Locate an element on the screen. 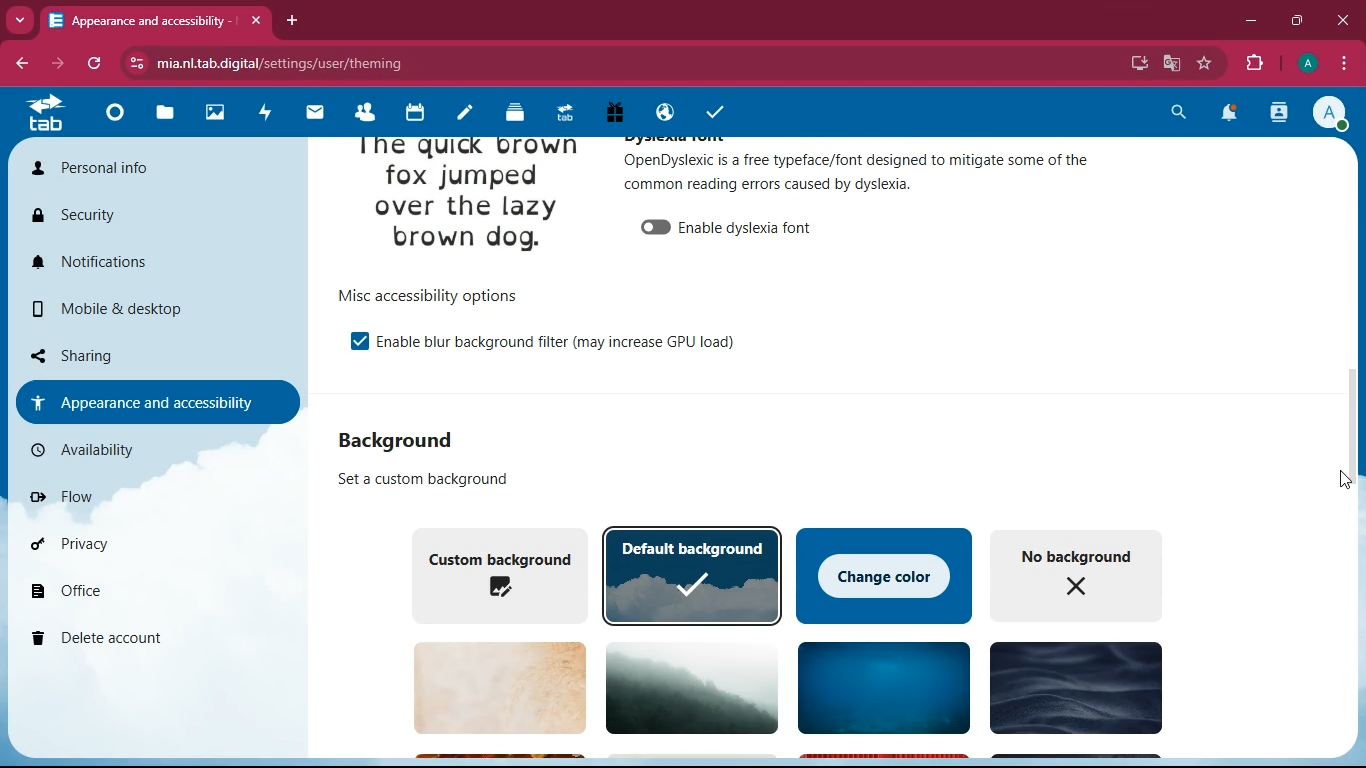 This screenshot has height=768, width=1366. favourite is located at coordinates (1209, 63).